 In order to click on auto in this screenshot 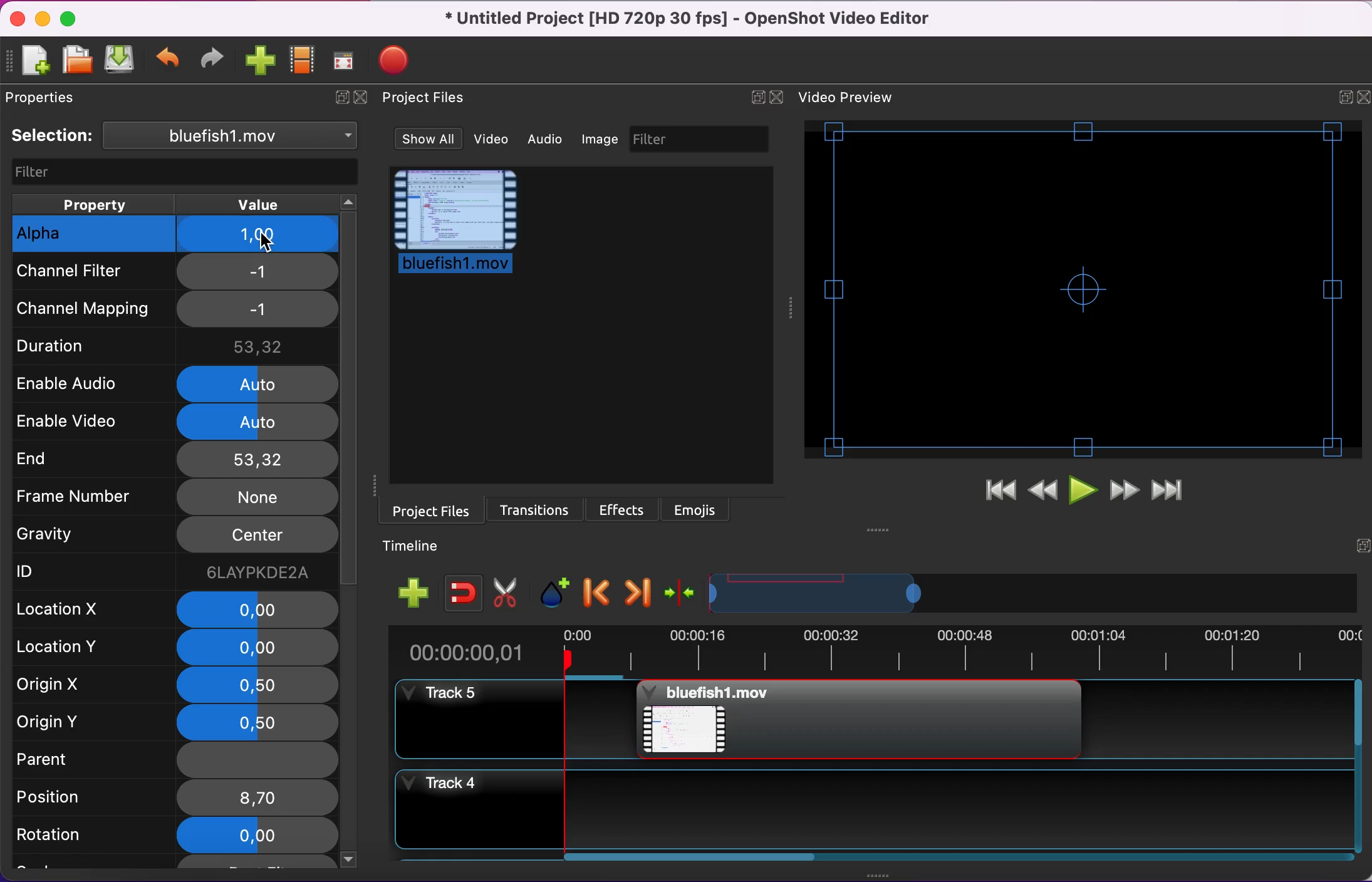, I will do `click(259, 383)`.